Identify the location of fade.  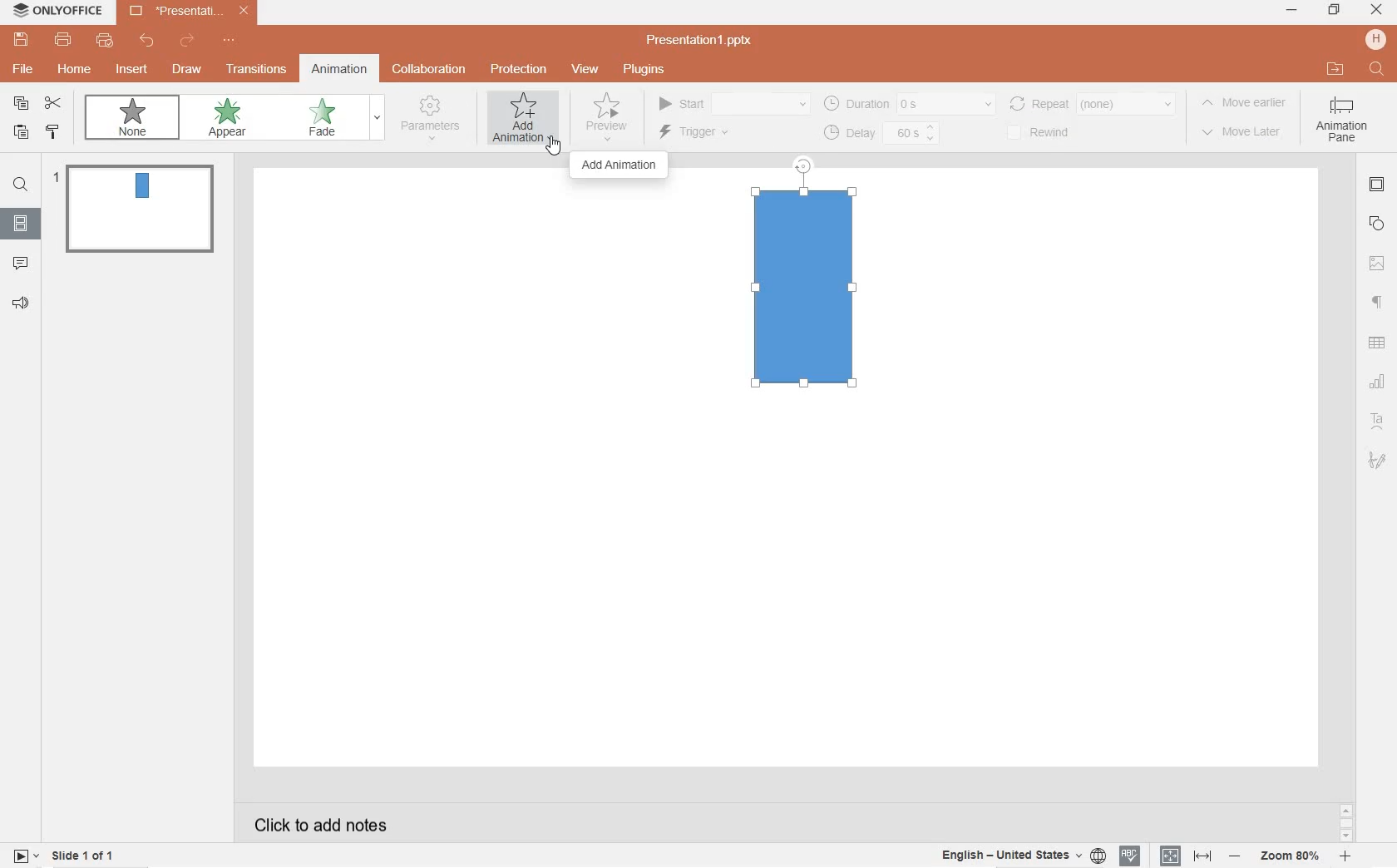
(327, 118).